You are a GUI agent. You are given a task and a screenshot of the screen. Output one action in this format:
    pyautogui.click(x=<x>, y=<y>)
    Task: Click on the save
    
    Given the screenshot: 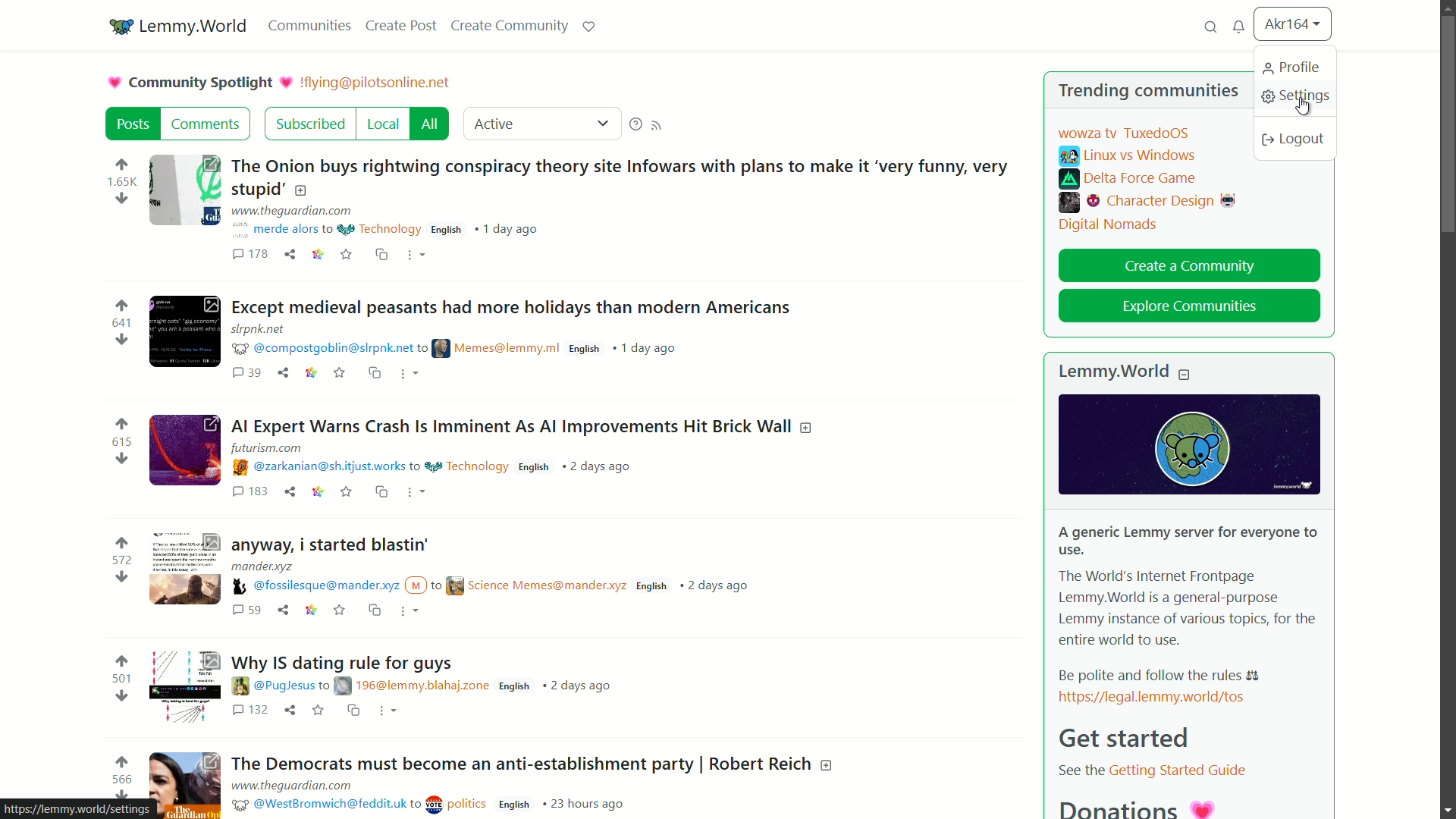 What is the action you would take?
    pyautogui.click(x=316, y=709)
    